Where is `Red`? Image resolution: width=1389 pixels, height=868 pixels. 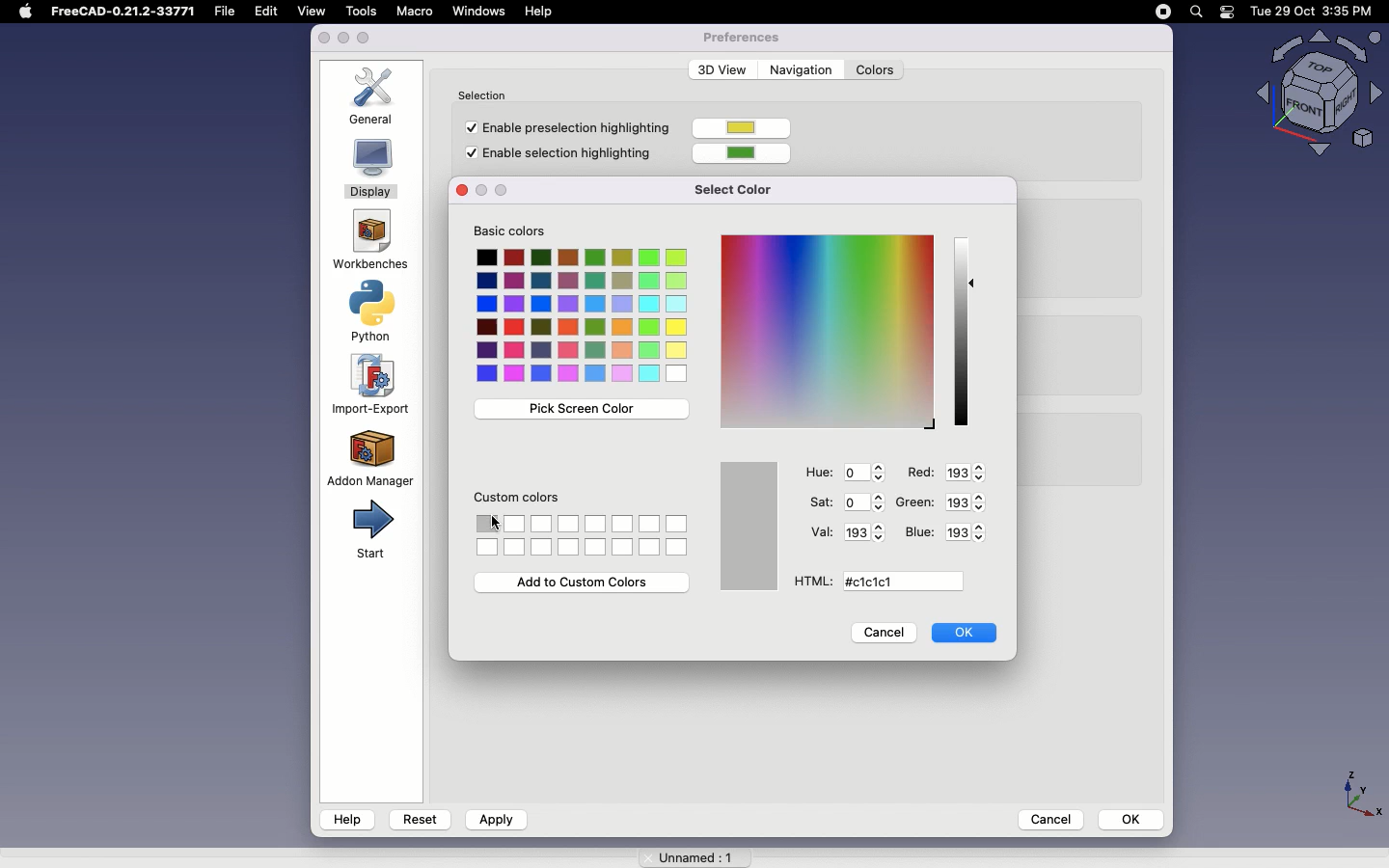
Red is located at coordinates (919, 473).